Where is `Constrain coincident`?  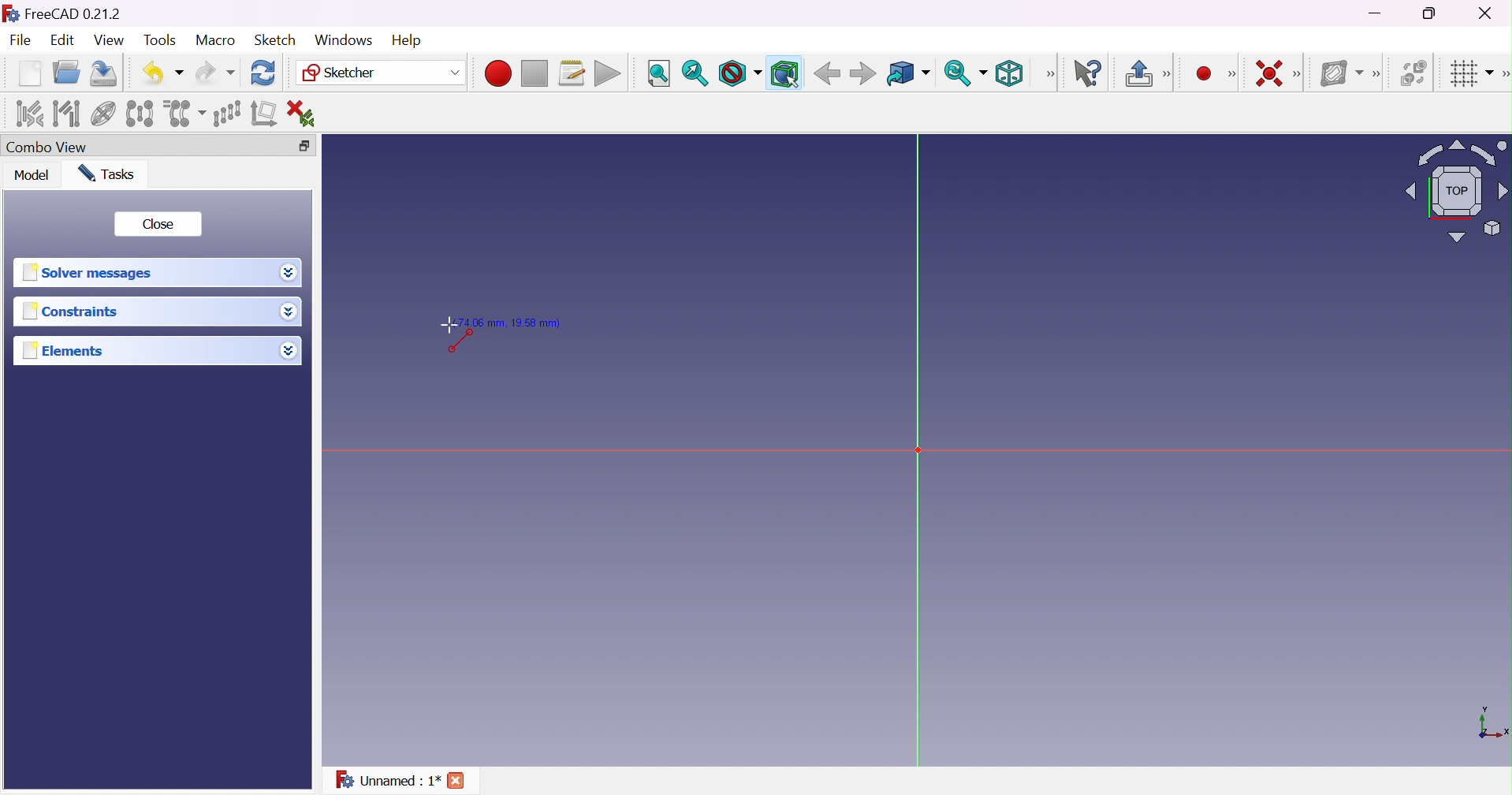 Constrain coincident is located at coordinates (1267, 73).